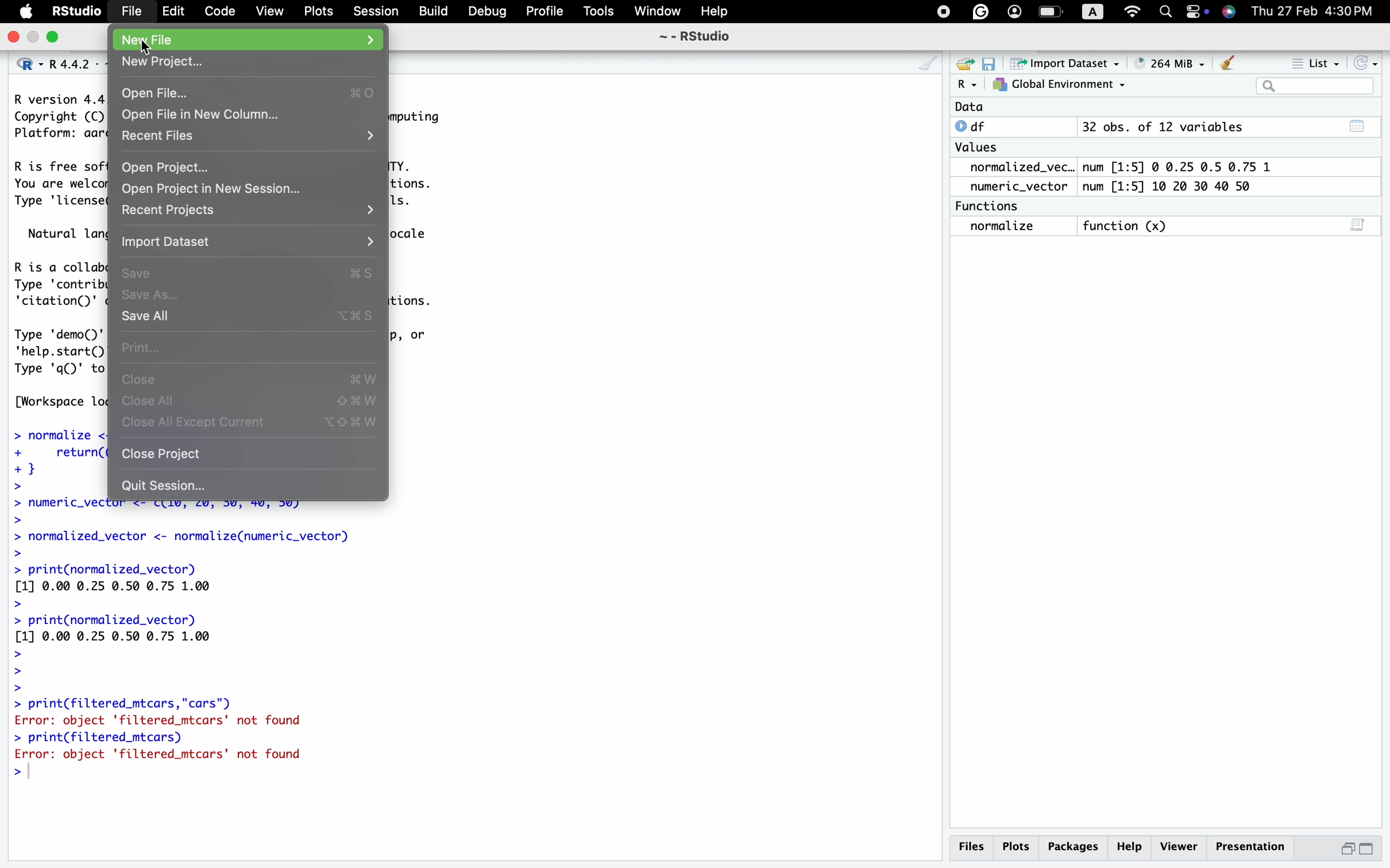 The image size is (1390, 868). What do you see at coordinates (966, 63) in the screenshot?
I see `load workspace` at bounding box center [966, 63].